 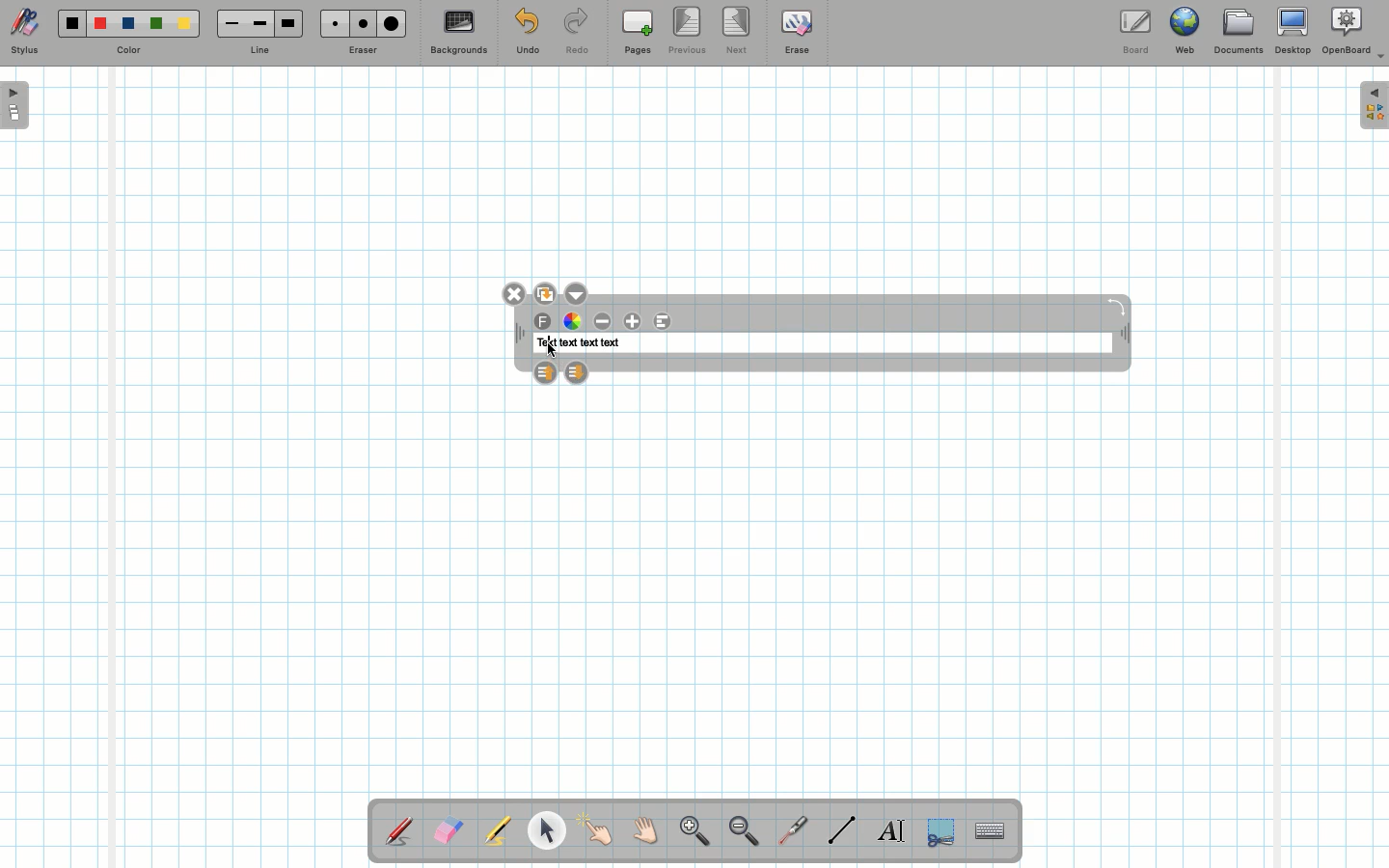 What do you see at coordinates (458, 33) in the screenshot?
I see `Backgrounds` at bounding box center [458, 33].